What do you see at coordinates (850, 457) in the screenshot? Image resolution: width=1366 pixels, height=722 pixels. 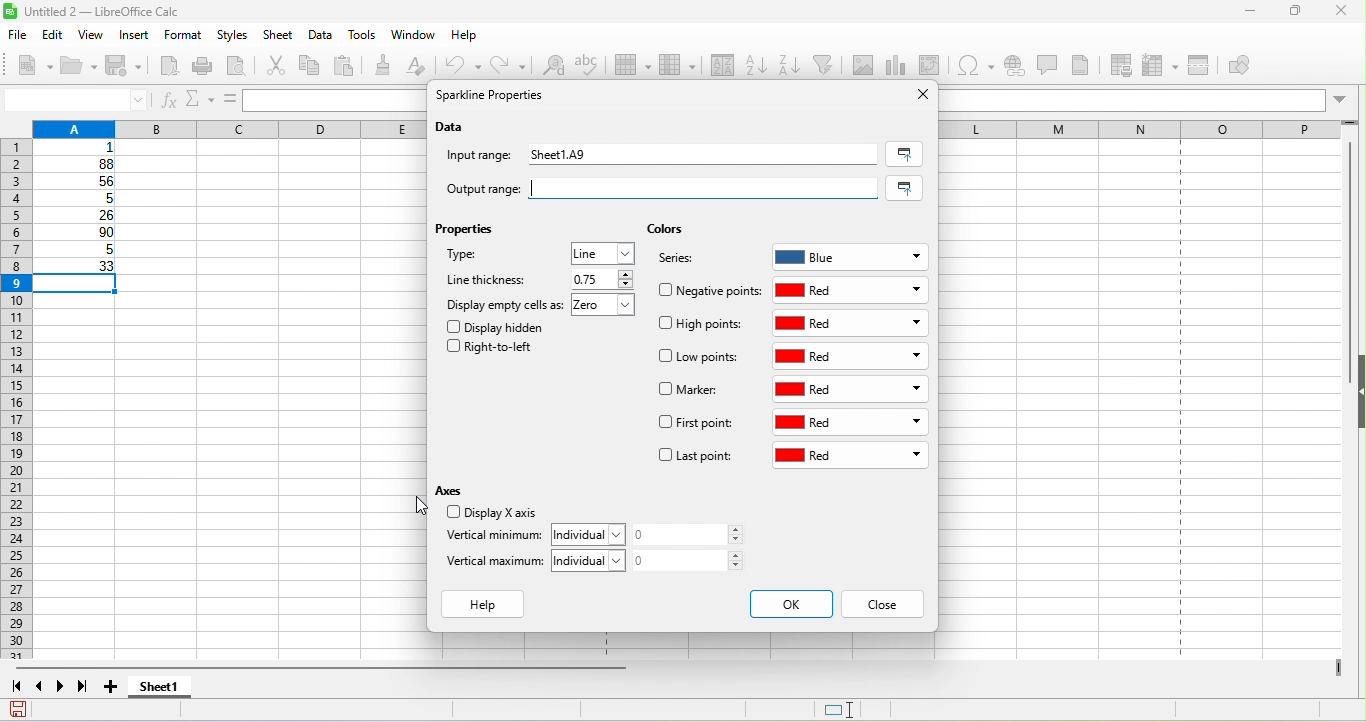 I see `red` at bounding box center [850, 457].